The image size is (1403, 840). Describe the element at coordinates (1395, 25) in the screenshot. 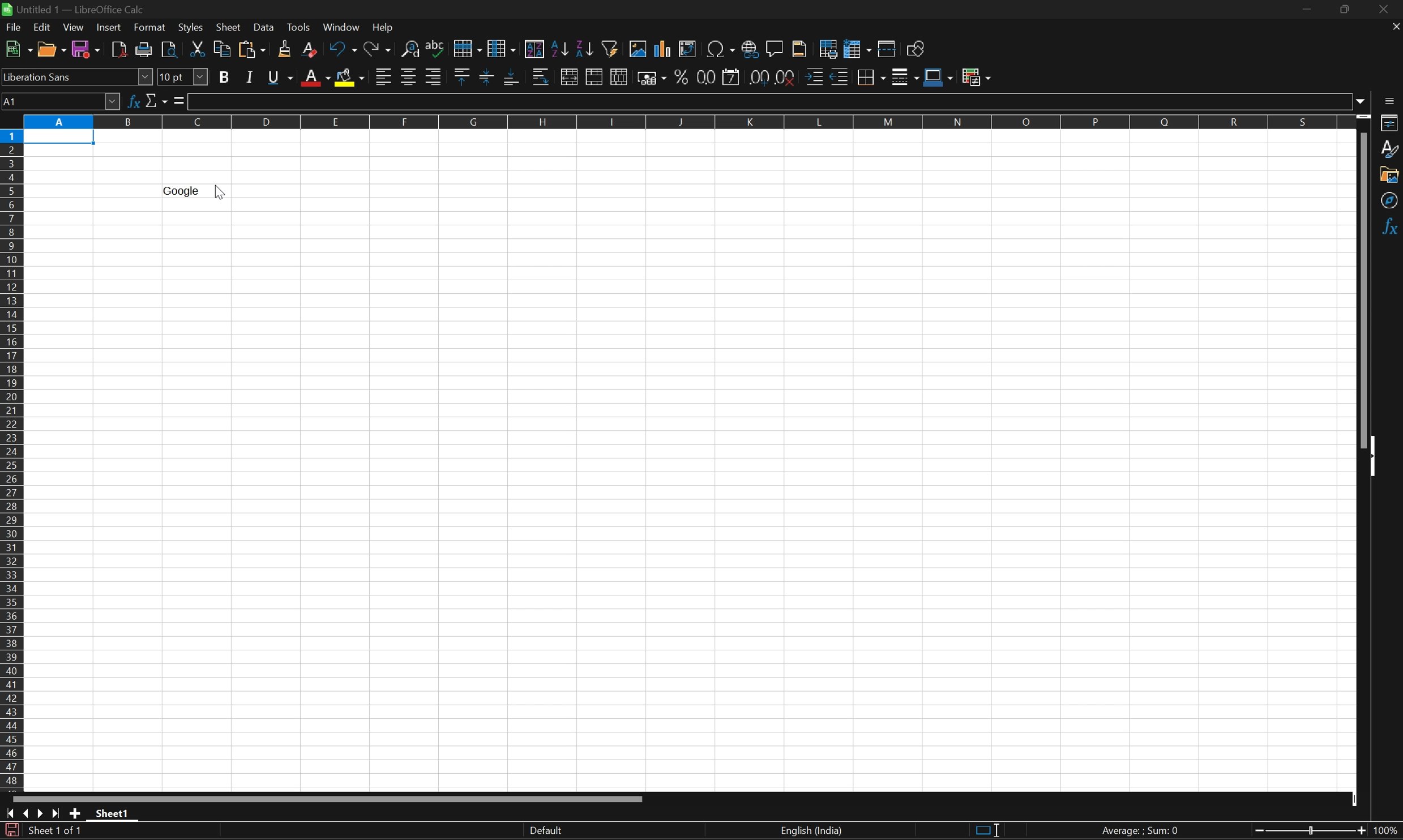

I see `Close document` at that location.